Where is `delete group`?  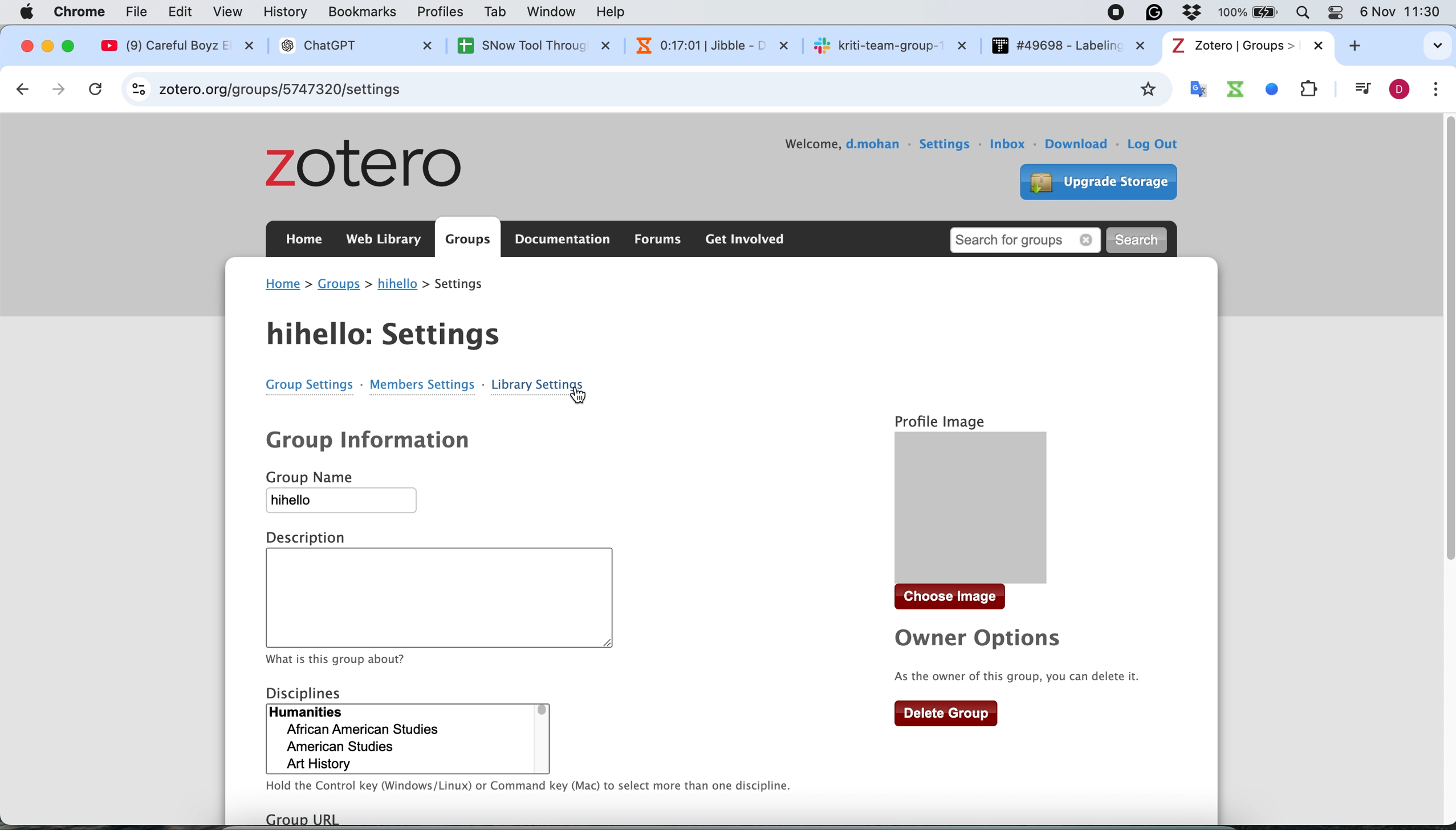
delete group is located at coordinates (947, 713).